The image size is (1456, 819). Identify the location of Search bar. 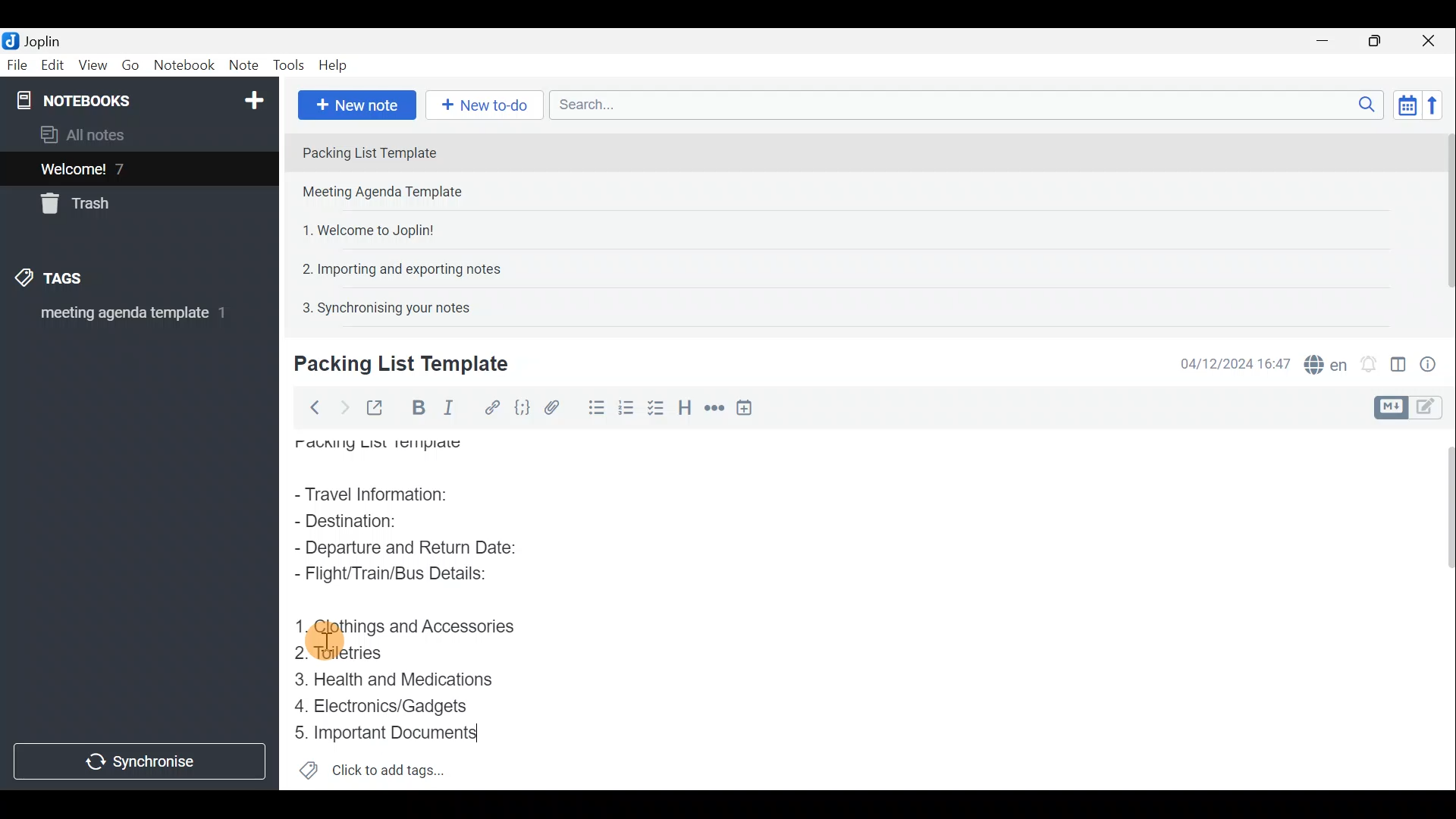
(962, 106).